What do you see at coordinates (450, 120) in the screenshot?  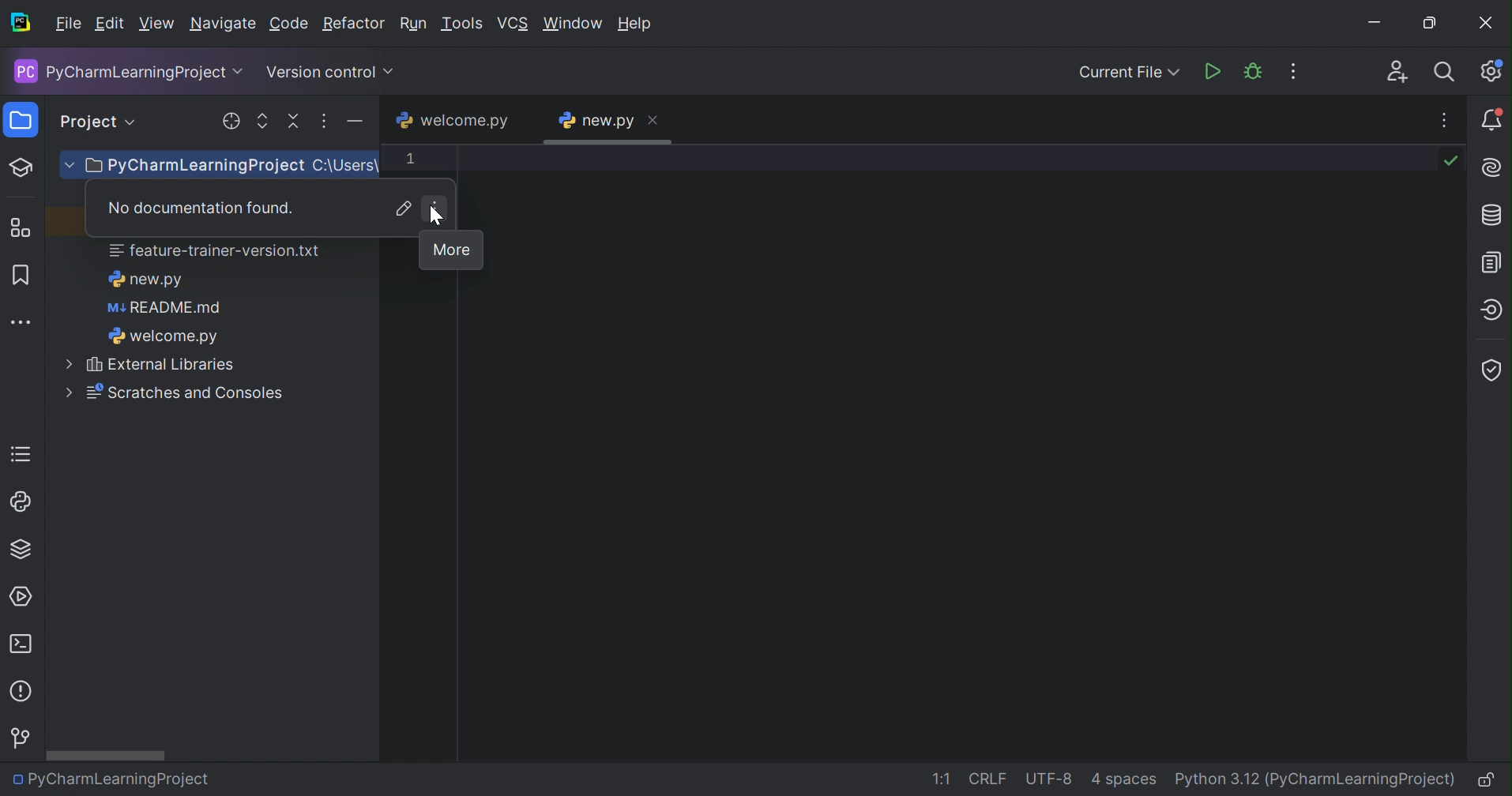 I see `welcome.py` at bounding box center [450, 120].